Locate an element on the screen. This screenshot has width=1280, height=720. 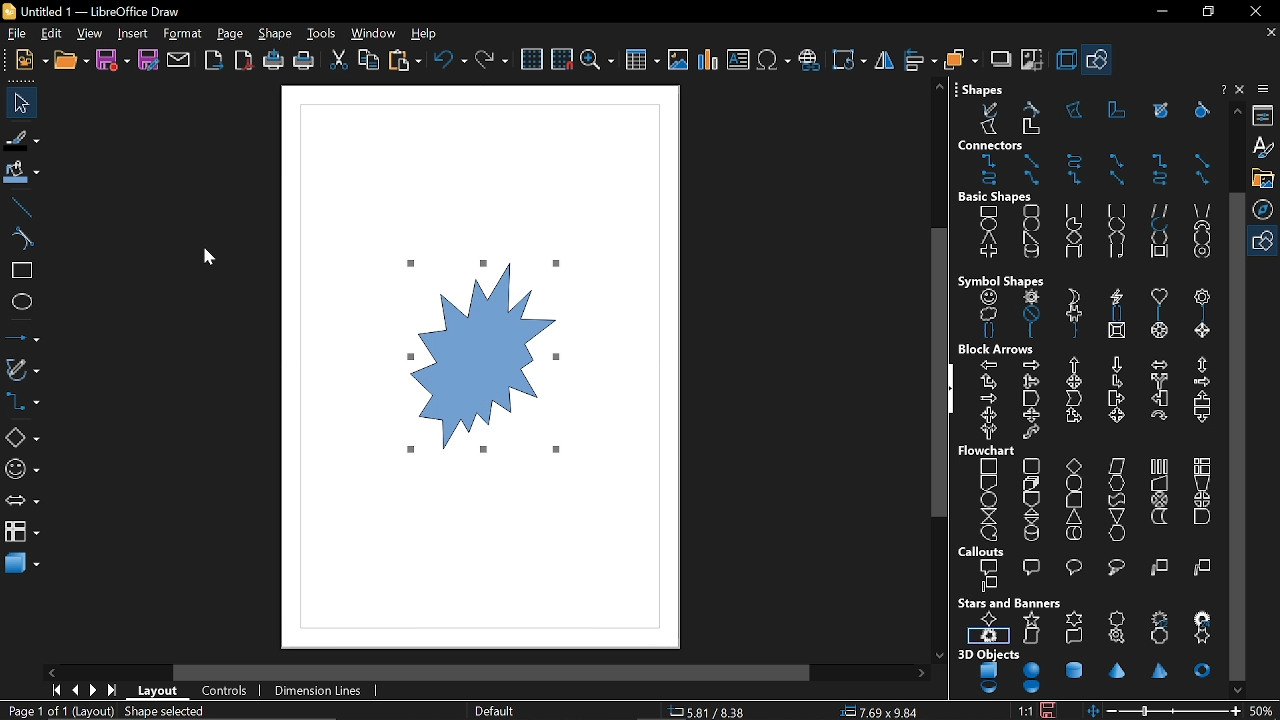
line is located at coordinates (21, 208).